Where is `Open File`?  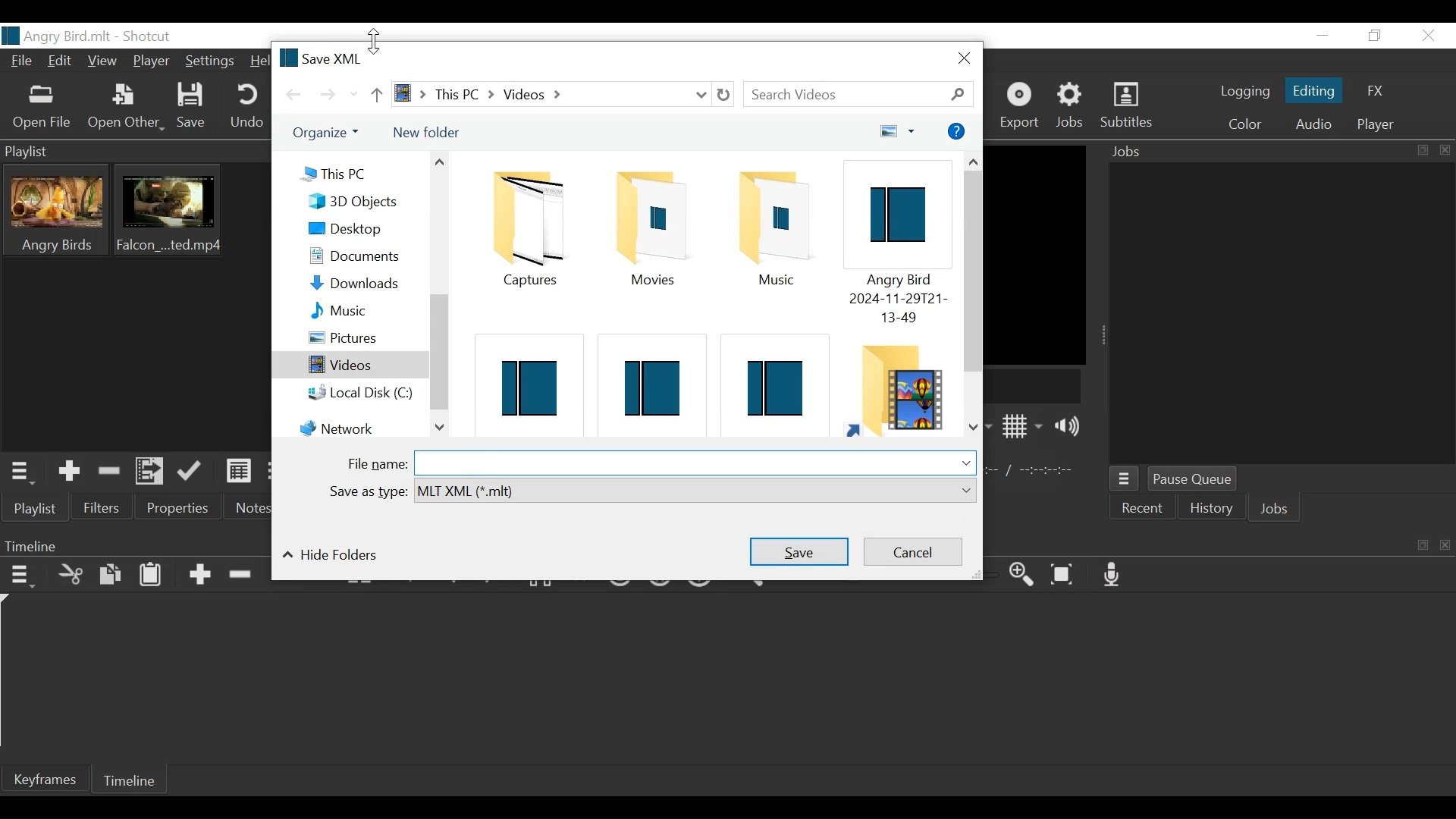
Open File is located at coordinates (39, 108).